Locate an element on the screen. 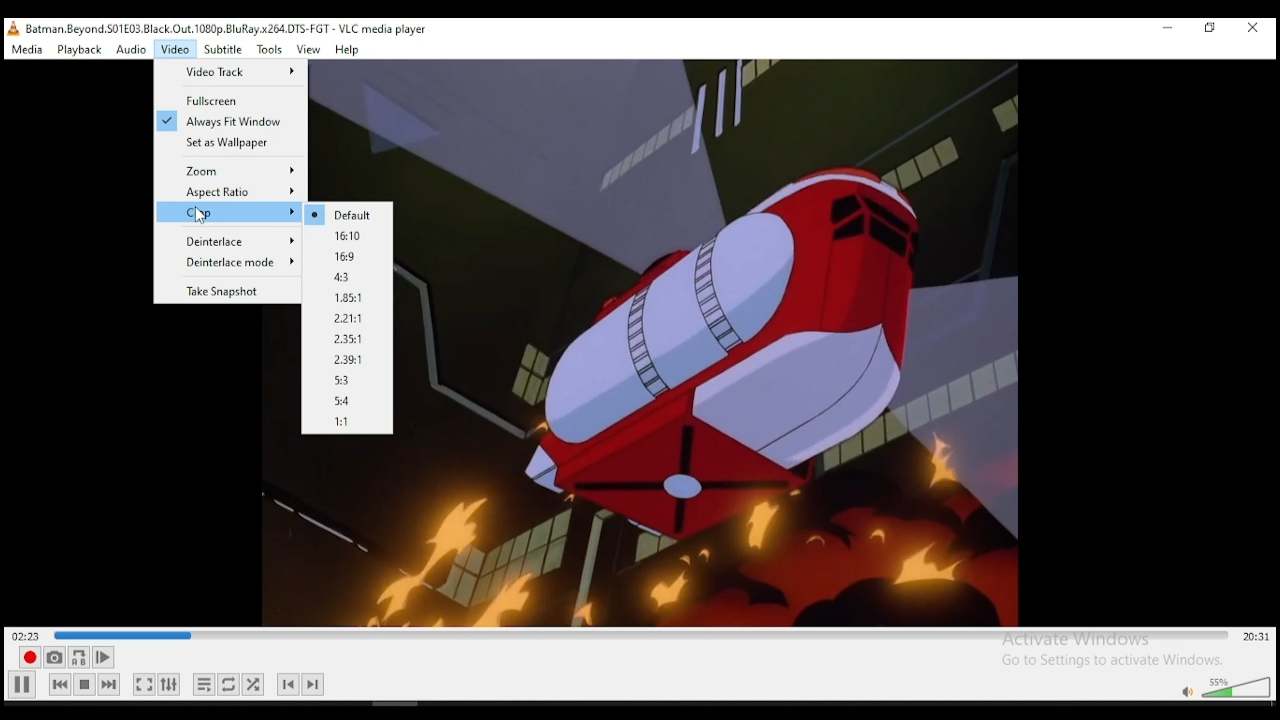  Crop is located at coordinates (230, 213).